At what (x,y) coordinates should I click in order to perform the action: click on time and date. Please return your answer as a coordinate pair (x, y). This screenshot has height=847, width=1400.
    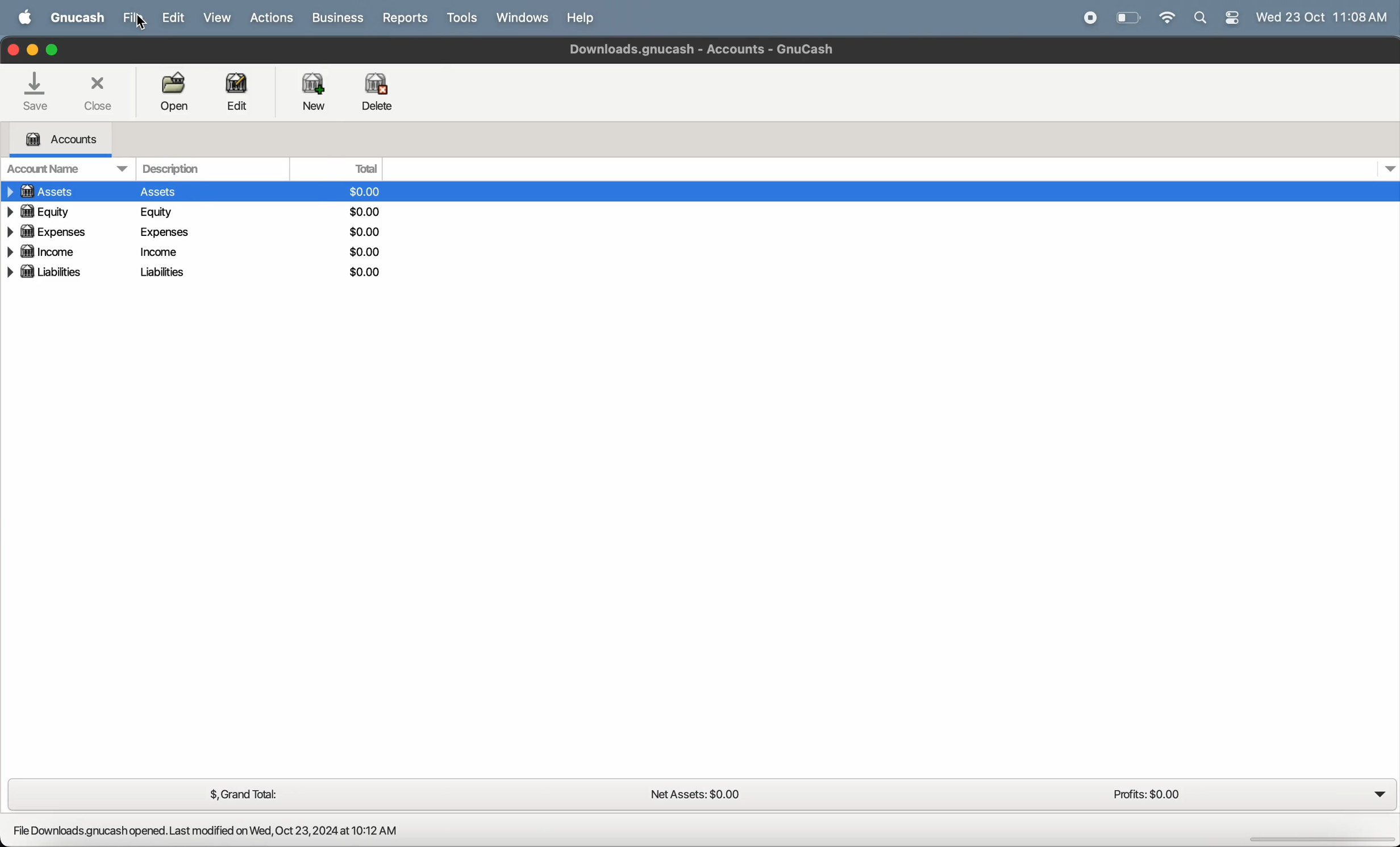
    Looking at the image, I should click on (1323, 18).